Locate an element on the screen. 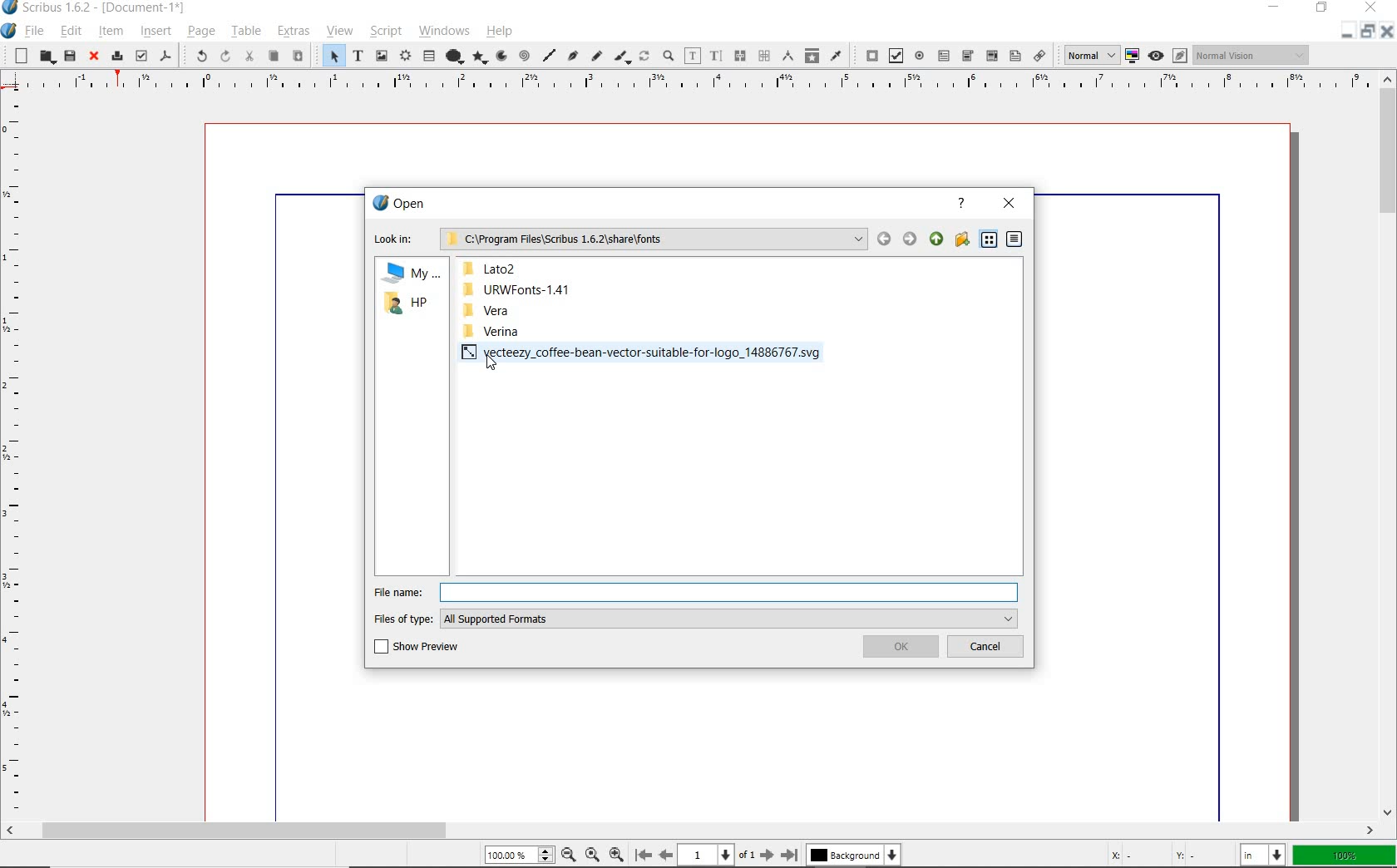 This screenshot has height=868, width=1397. Normal is located at coordinates (1087, 55).